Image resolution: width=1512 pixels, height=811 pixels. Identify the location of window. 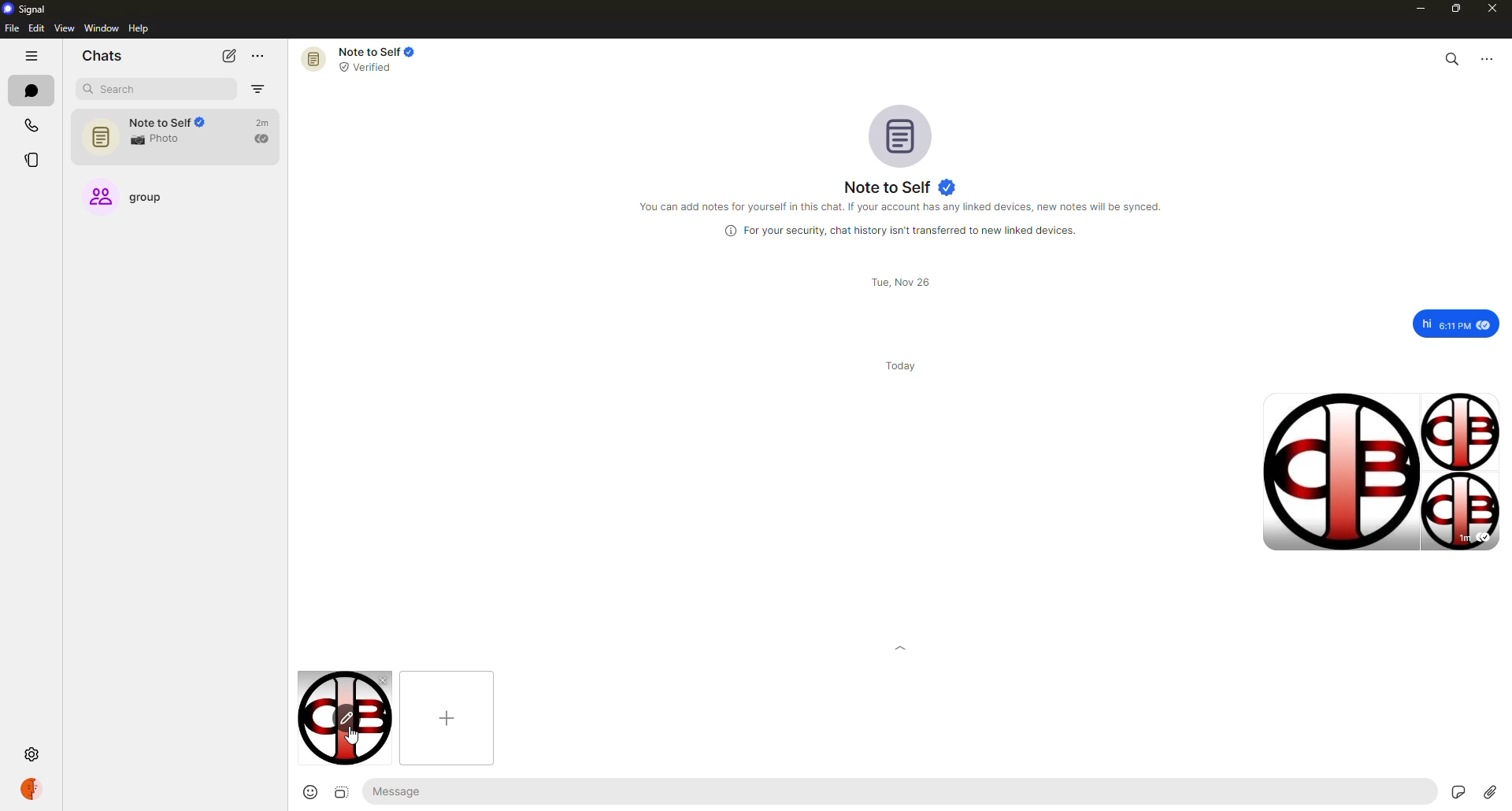
(102, 29).